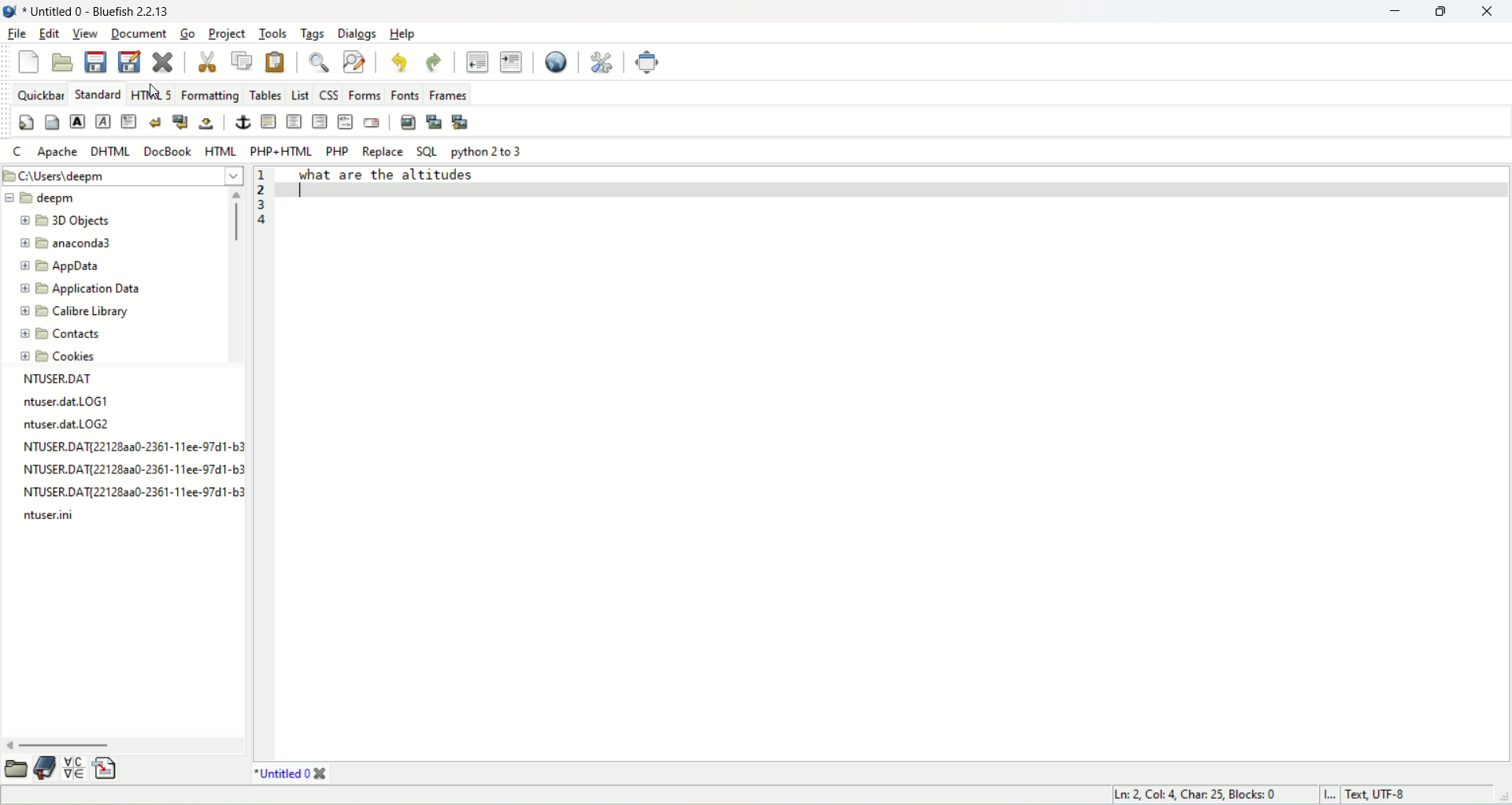  Describe the element at coordinates (28, 62) in the screenshot. I see `new` at that location.